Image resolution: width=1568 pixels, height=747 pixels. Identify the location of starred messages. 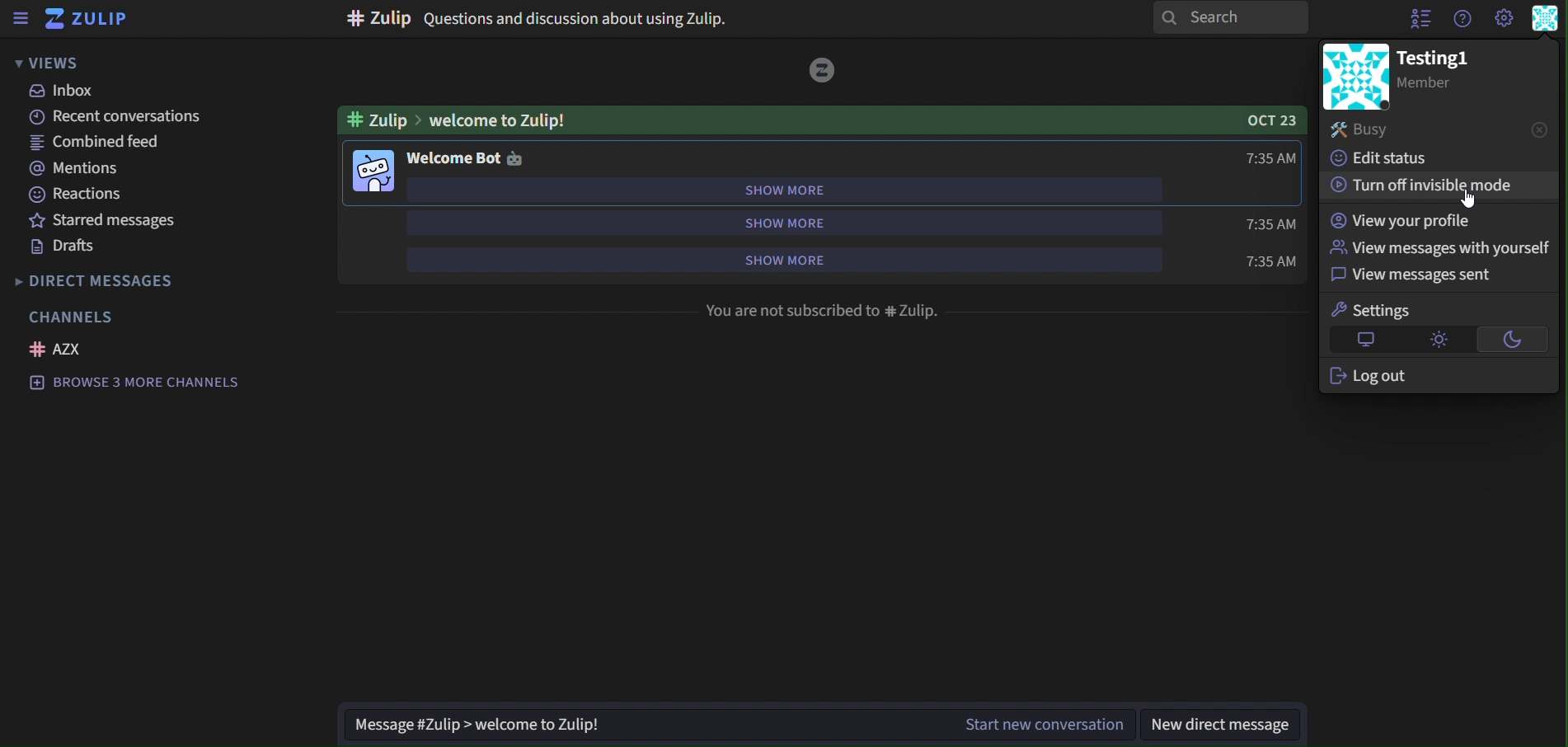
(107, 221).